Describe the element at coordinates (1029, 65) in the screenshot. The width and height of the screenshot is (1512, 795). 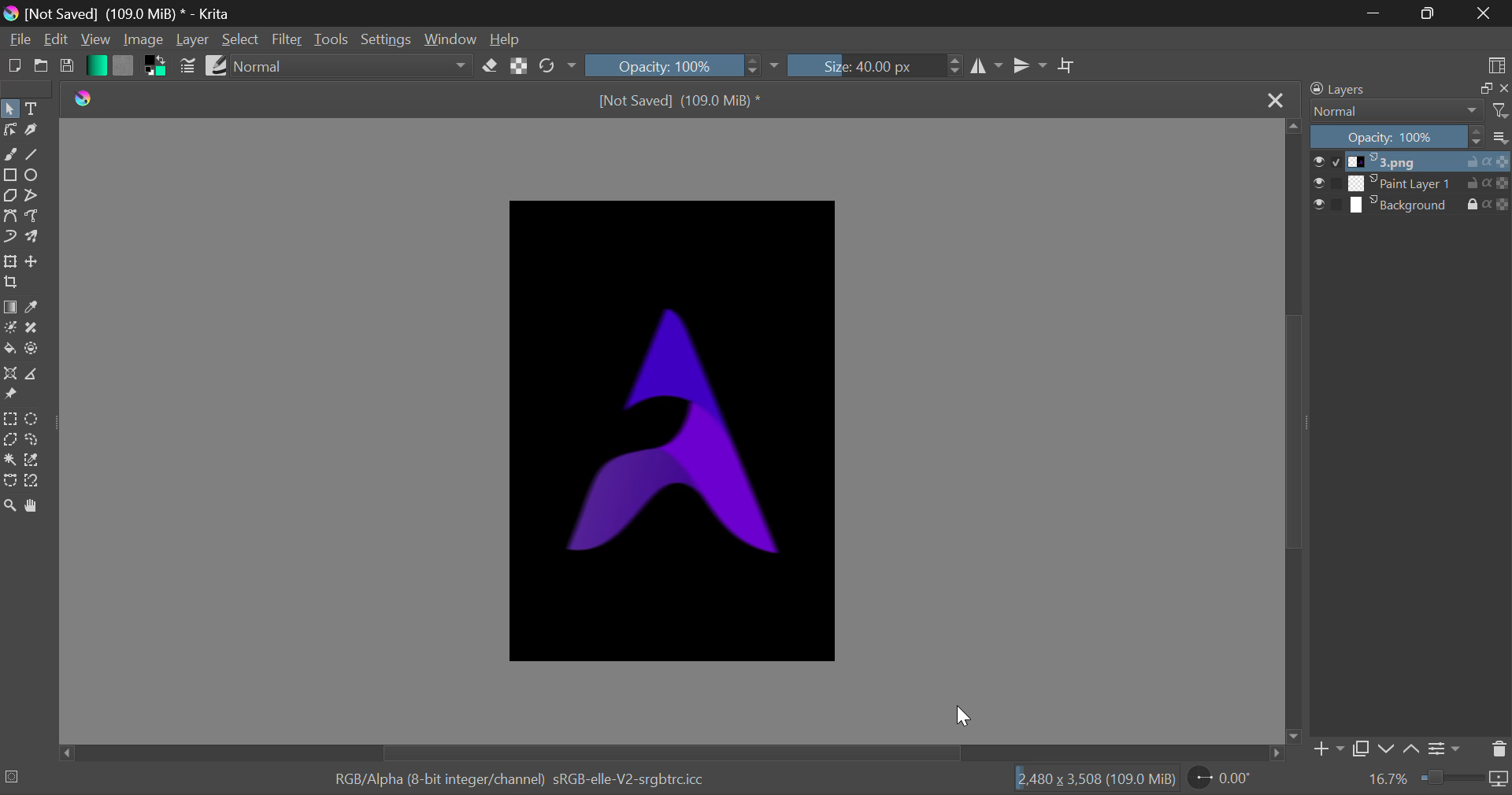
I see `Horizontal Mirror Flip` at that location.